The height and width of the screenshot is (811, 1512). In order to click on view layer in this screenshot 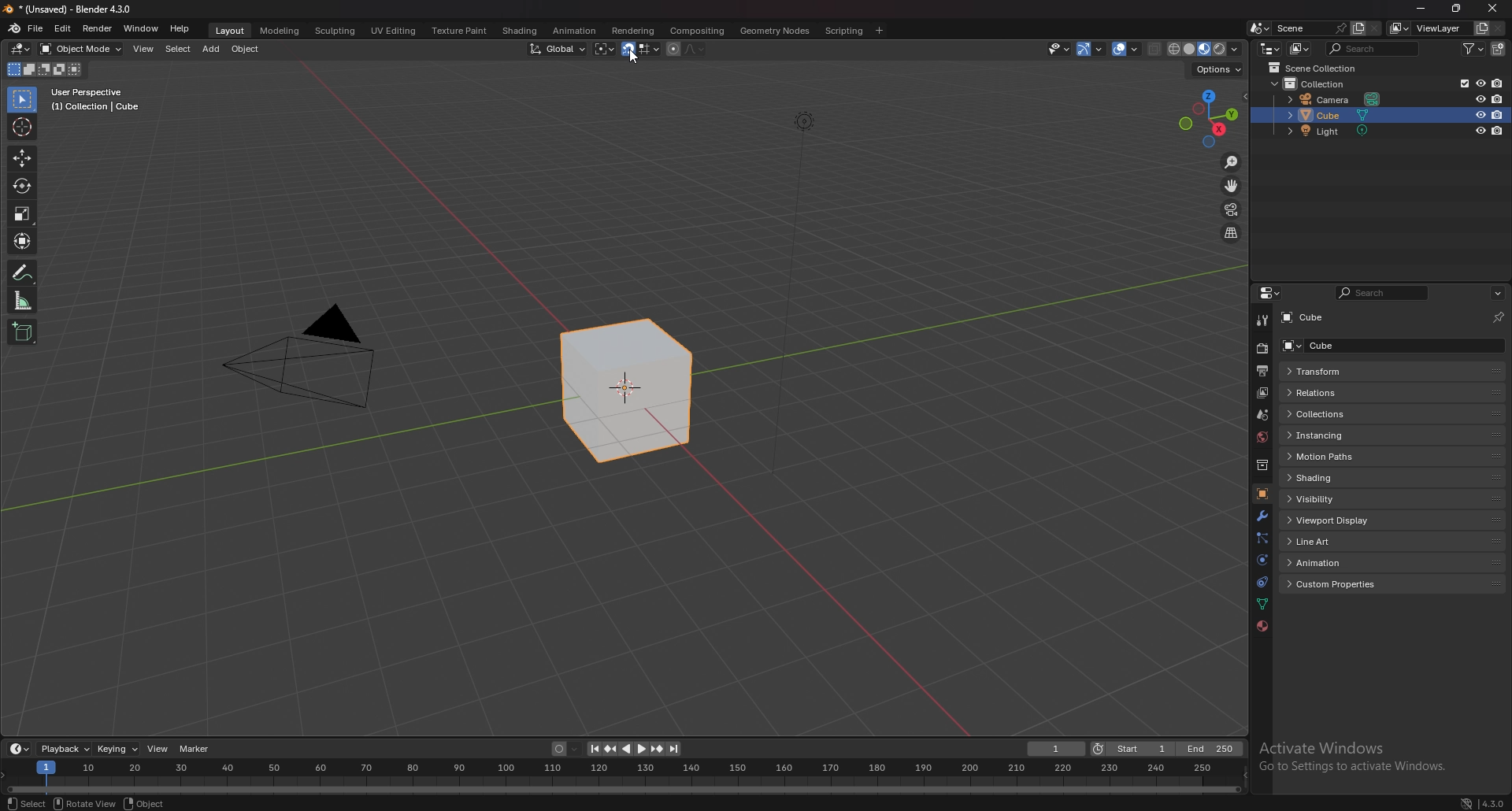, I will do `click(1260, 394)`.